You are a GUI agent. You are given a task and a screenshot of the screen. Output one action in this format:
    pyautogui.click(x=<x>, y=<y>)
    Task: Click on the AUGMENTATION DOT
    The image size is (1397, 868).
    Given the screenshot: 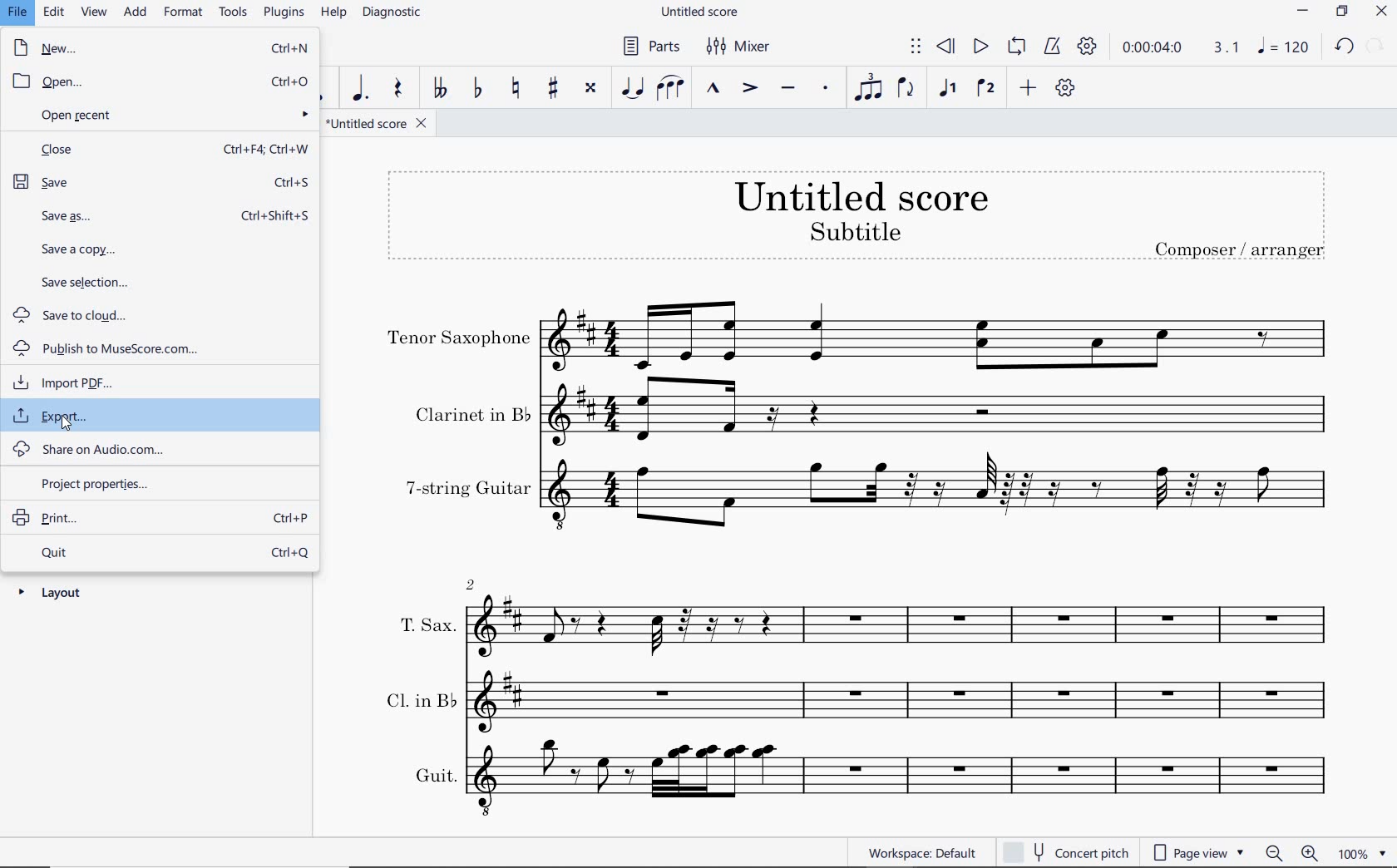 What is the action you would take?
    pyautogui.click(x=360, y=91)
    